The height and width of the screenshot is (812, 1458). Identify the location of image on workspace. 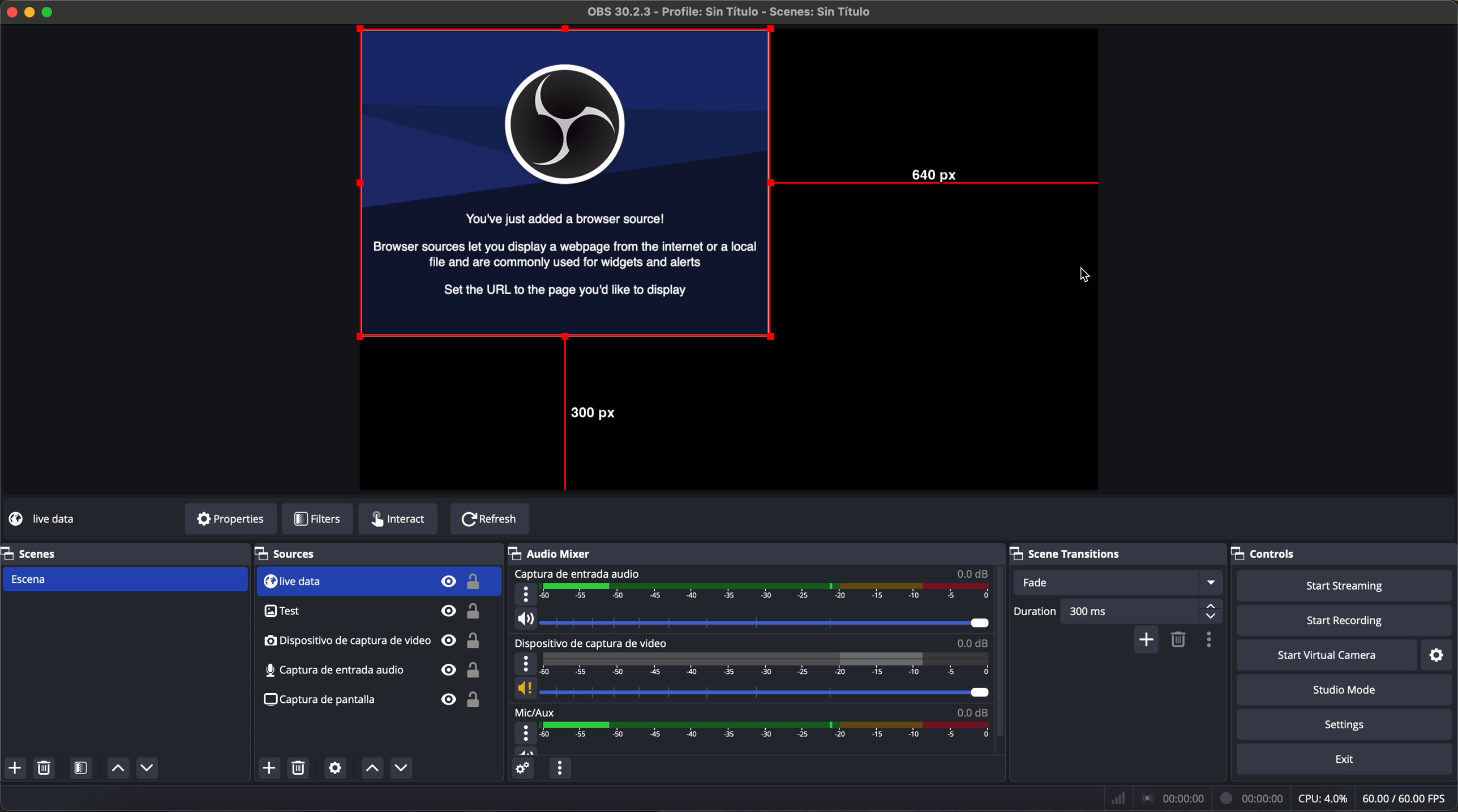
(566, 177).